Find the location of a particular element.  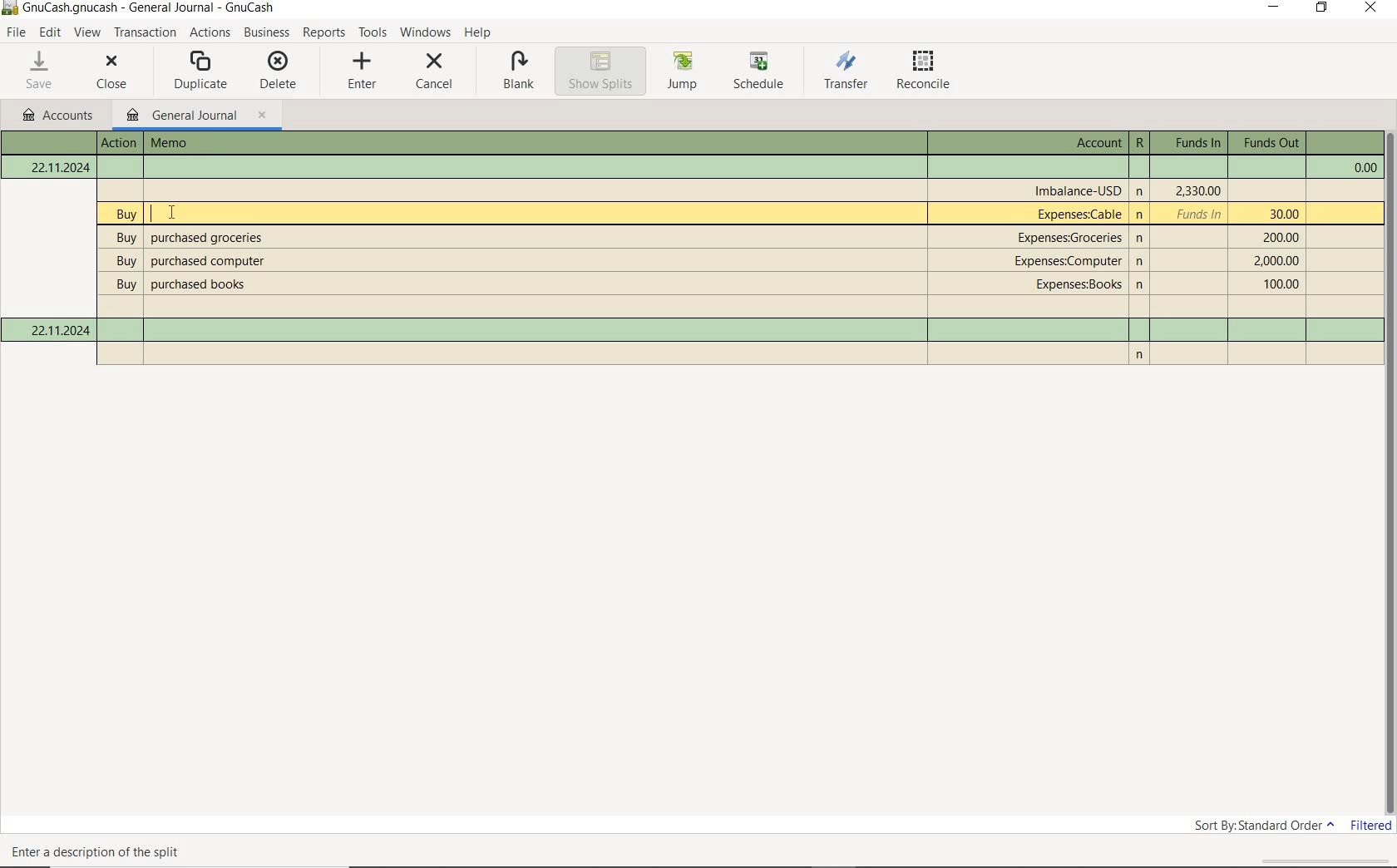

sort by is located at coordinates (1264, 826).